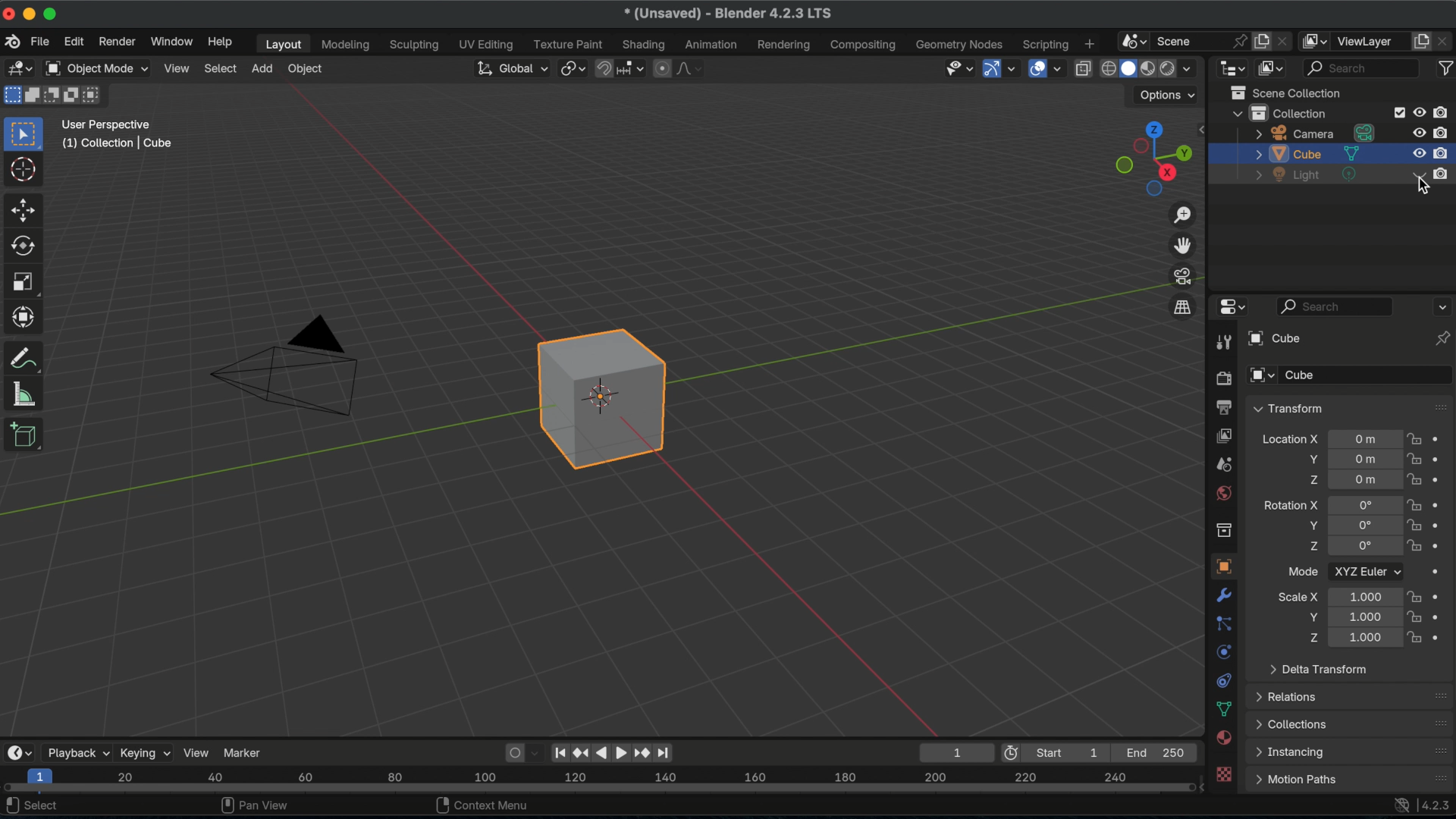 This screenshot has width=1456, height=819. I want to click on auto keying, so click(510, 753).